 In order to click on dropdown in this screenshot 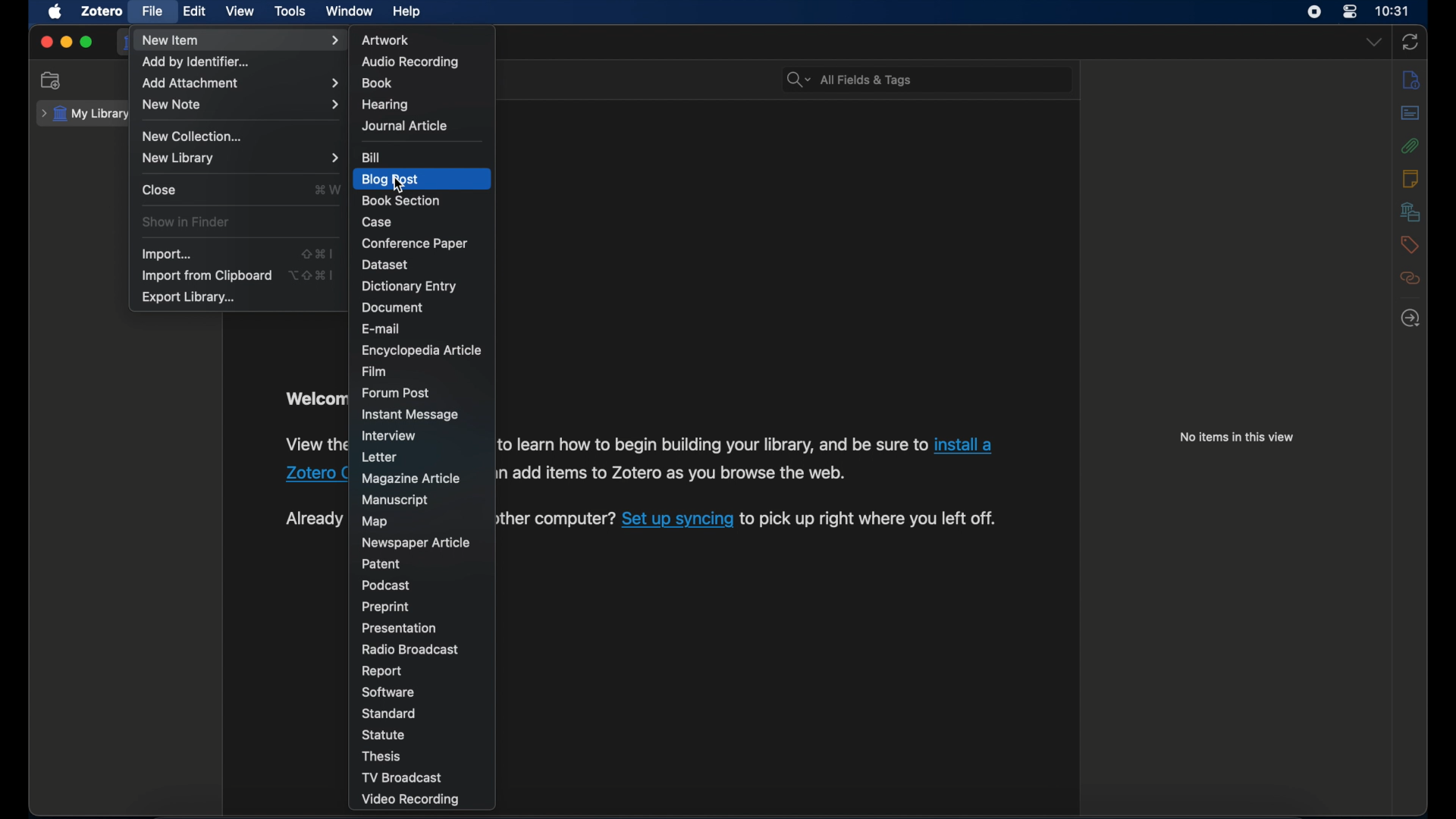, I will do `click(1373, 42)`.